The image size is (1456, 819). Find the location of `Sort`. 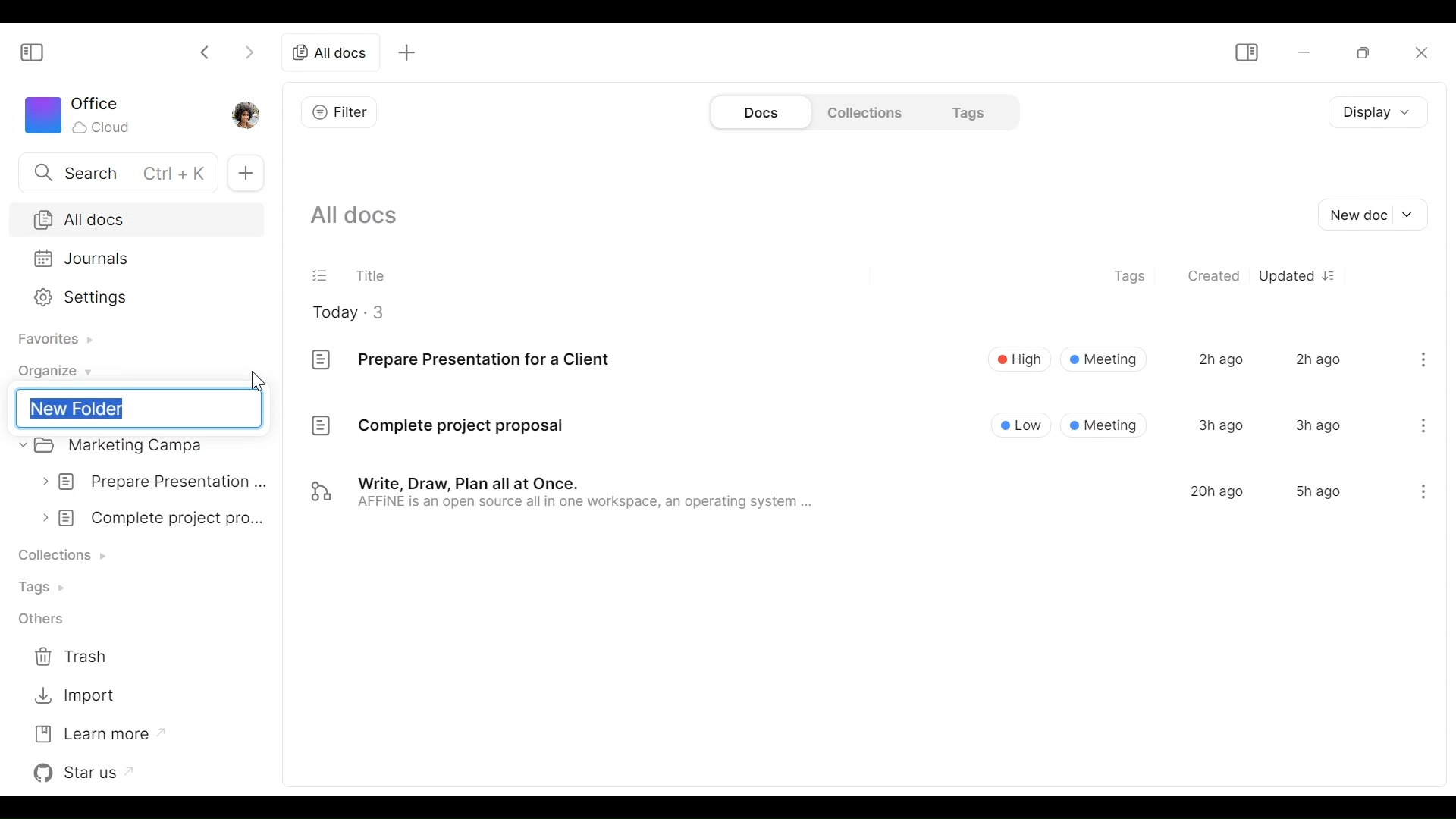

Sort is located at coordinates (1334, 275).